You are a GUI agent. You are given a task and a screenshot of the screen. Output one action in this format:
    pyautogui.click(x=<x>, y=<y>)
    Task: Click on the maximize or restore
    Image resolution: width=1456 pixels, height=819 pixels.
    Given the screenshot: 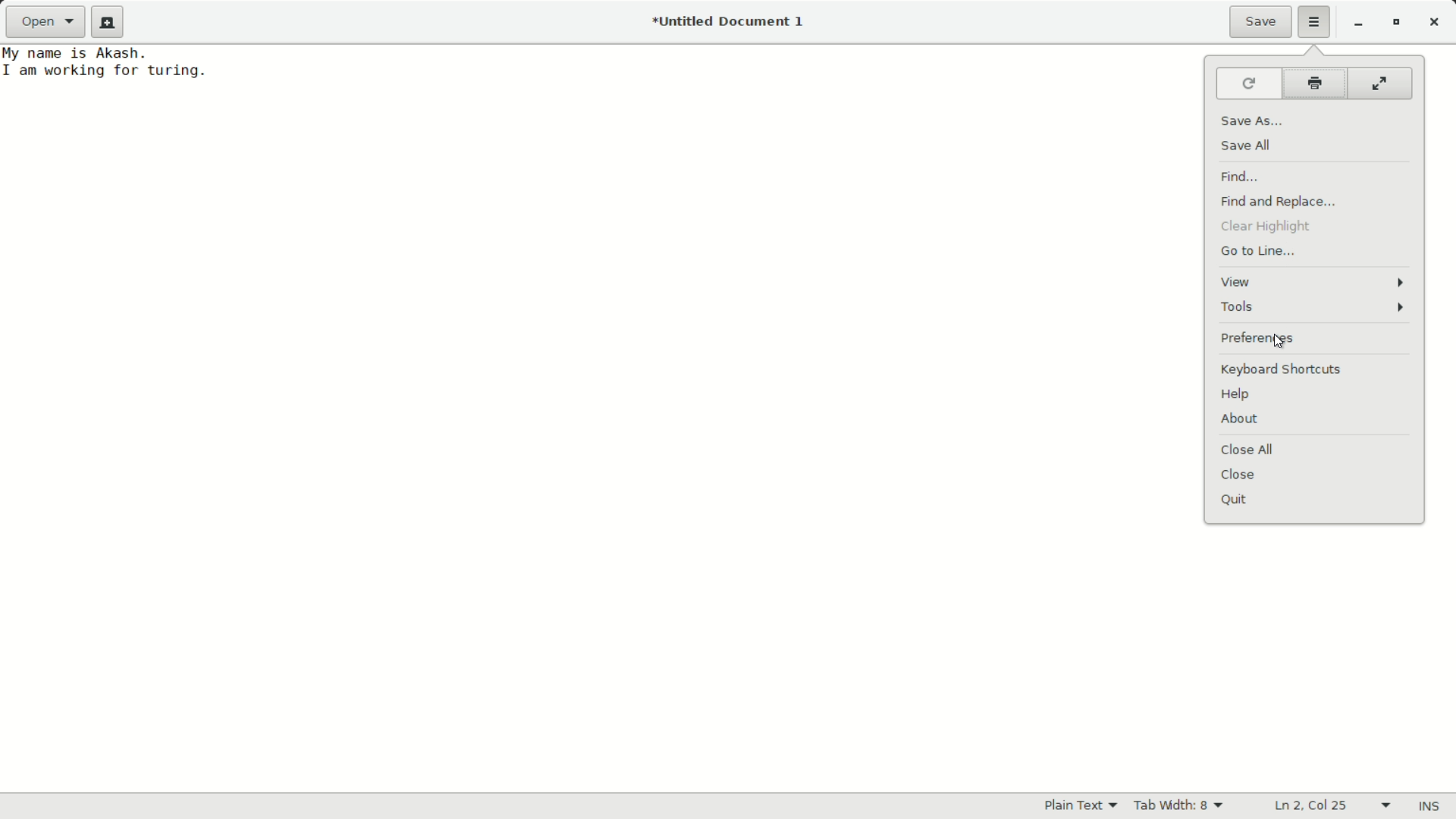 What is the action you would take?
    pyautogui.click(x=1396, y=24)
    